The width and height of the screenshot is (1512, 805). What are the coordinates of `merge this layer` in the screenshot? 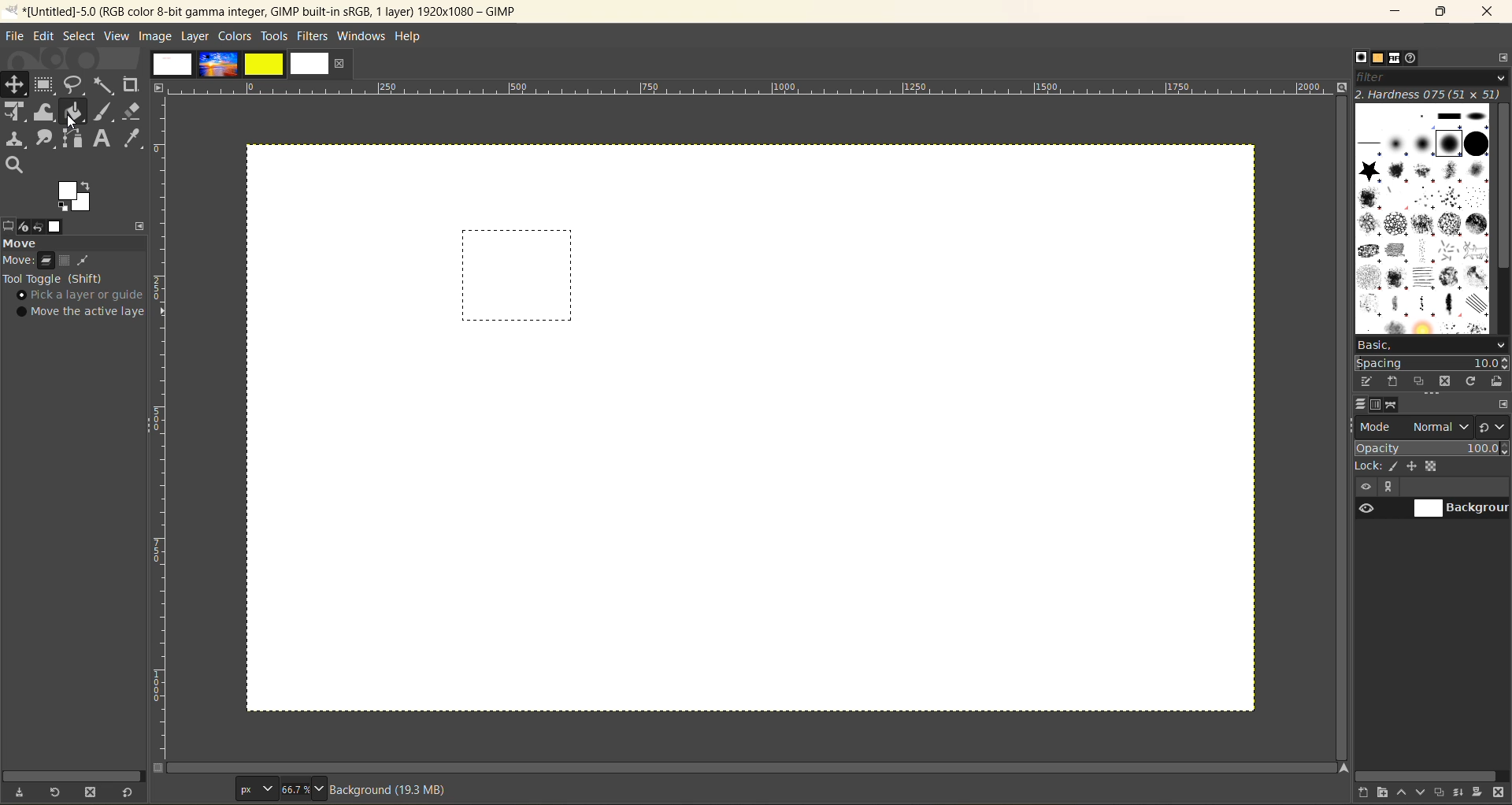 It's located at (1463, 792).